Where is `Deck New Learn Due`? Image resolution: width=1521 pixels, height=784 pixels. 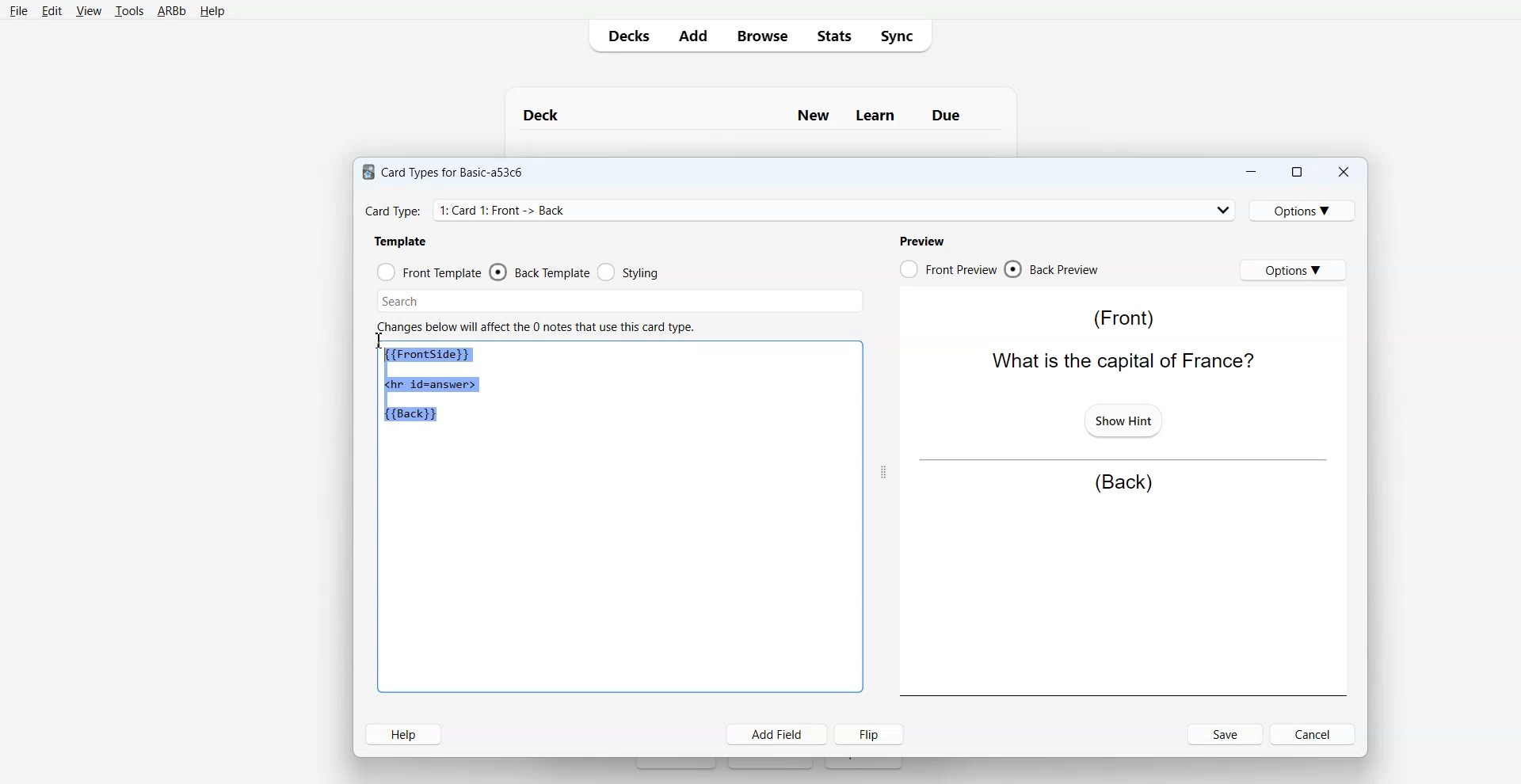
Deck New Learn Due is located at coordinates (750, 115).